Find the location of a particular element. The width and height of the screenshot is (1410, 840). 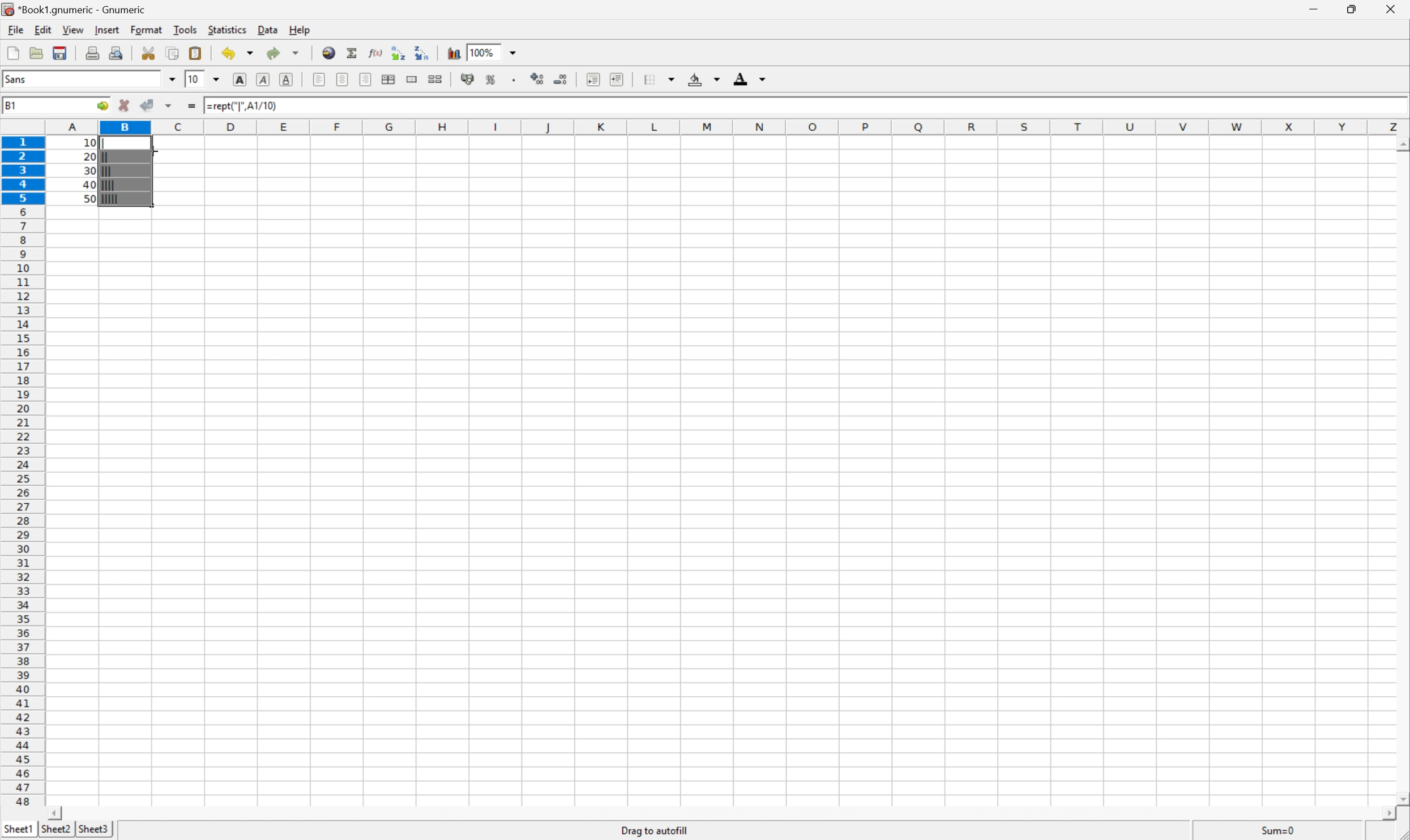

Scroll Left is located at coordinates (57, 814).